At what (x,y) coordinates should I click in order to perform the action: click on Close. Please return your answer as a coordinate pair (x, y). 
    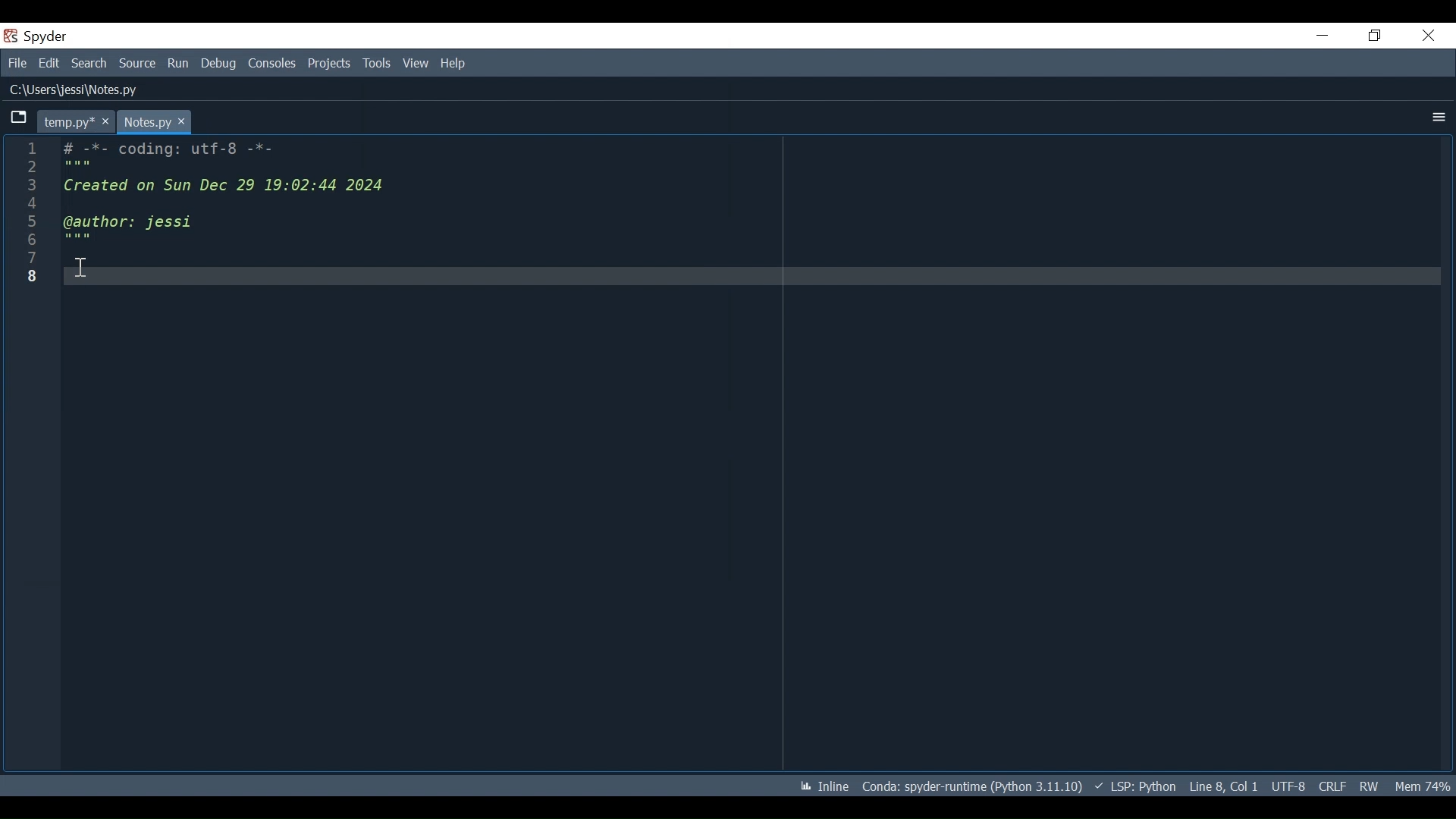
    Looking at the image, I should click on (1428, 35).